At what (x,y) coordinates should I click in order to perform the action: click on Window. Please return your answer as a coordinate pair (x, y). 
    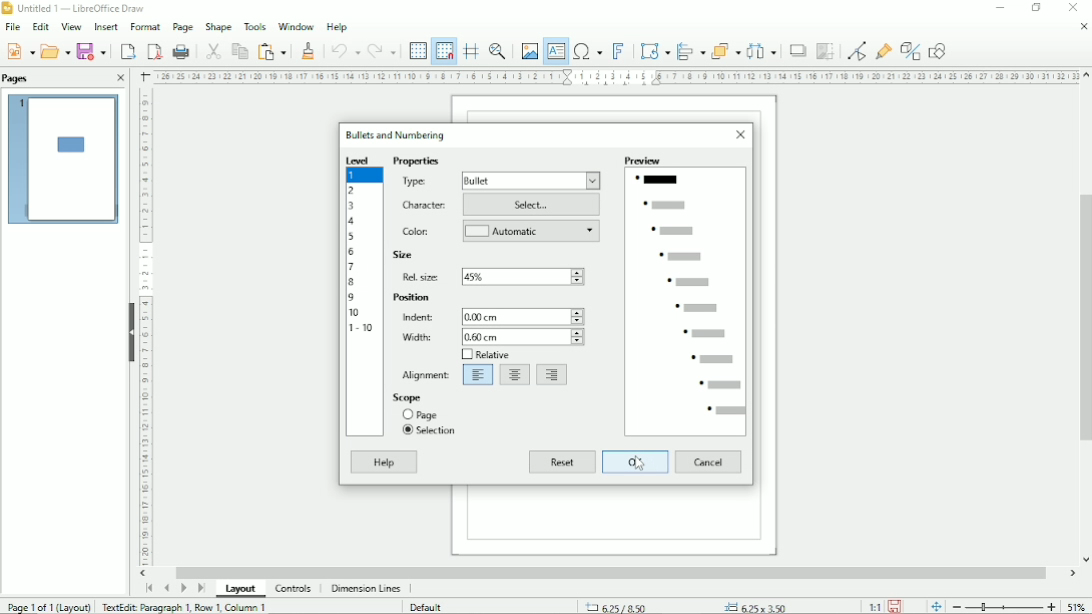
    Looking at the image, I should click on (296, 26).